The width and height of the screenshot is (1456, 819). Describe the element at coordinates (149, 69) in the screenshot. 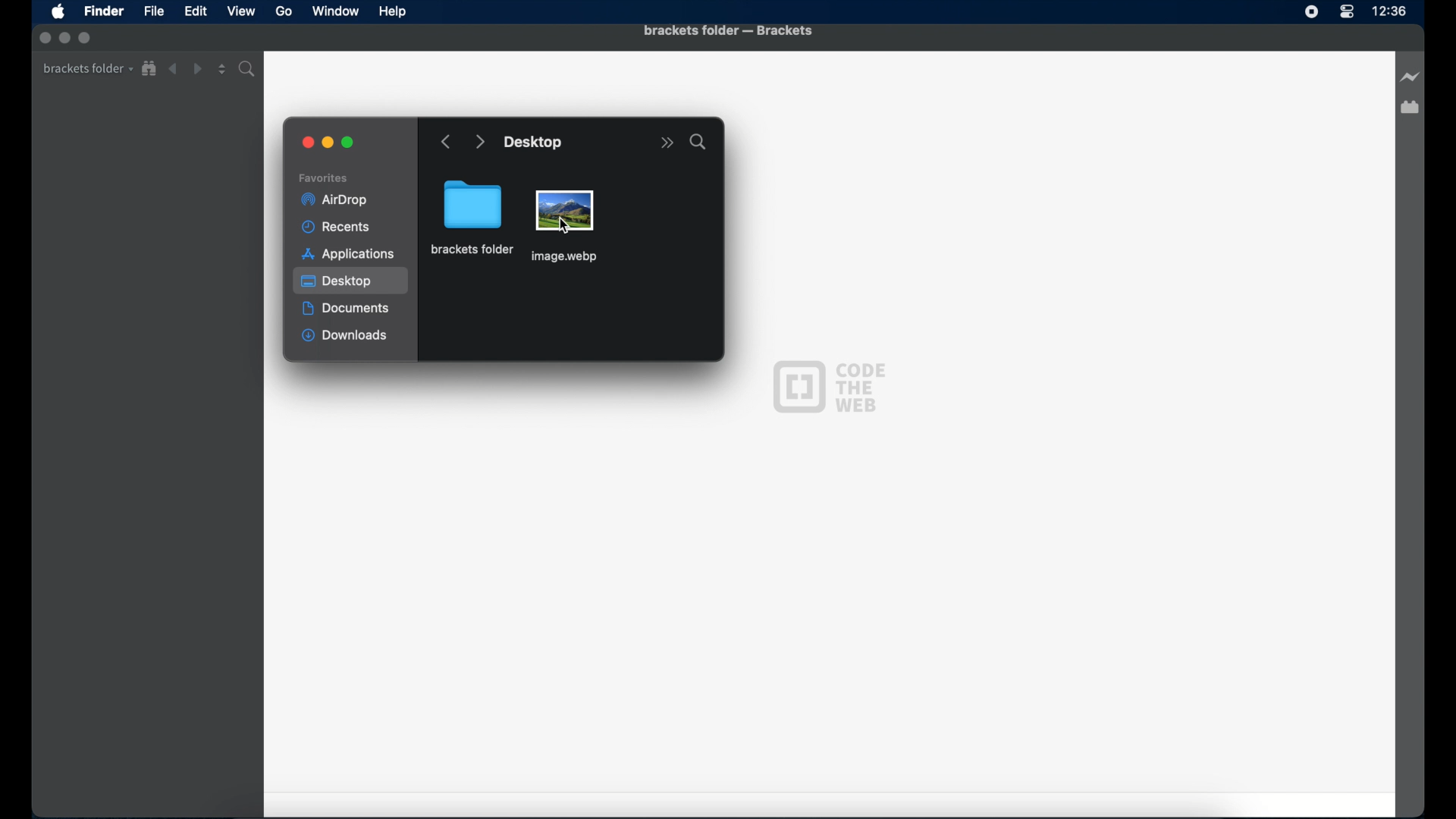

I see `show in file tree` at that location.